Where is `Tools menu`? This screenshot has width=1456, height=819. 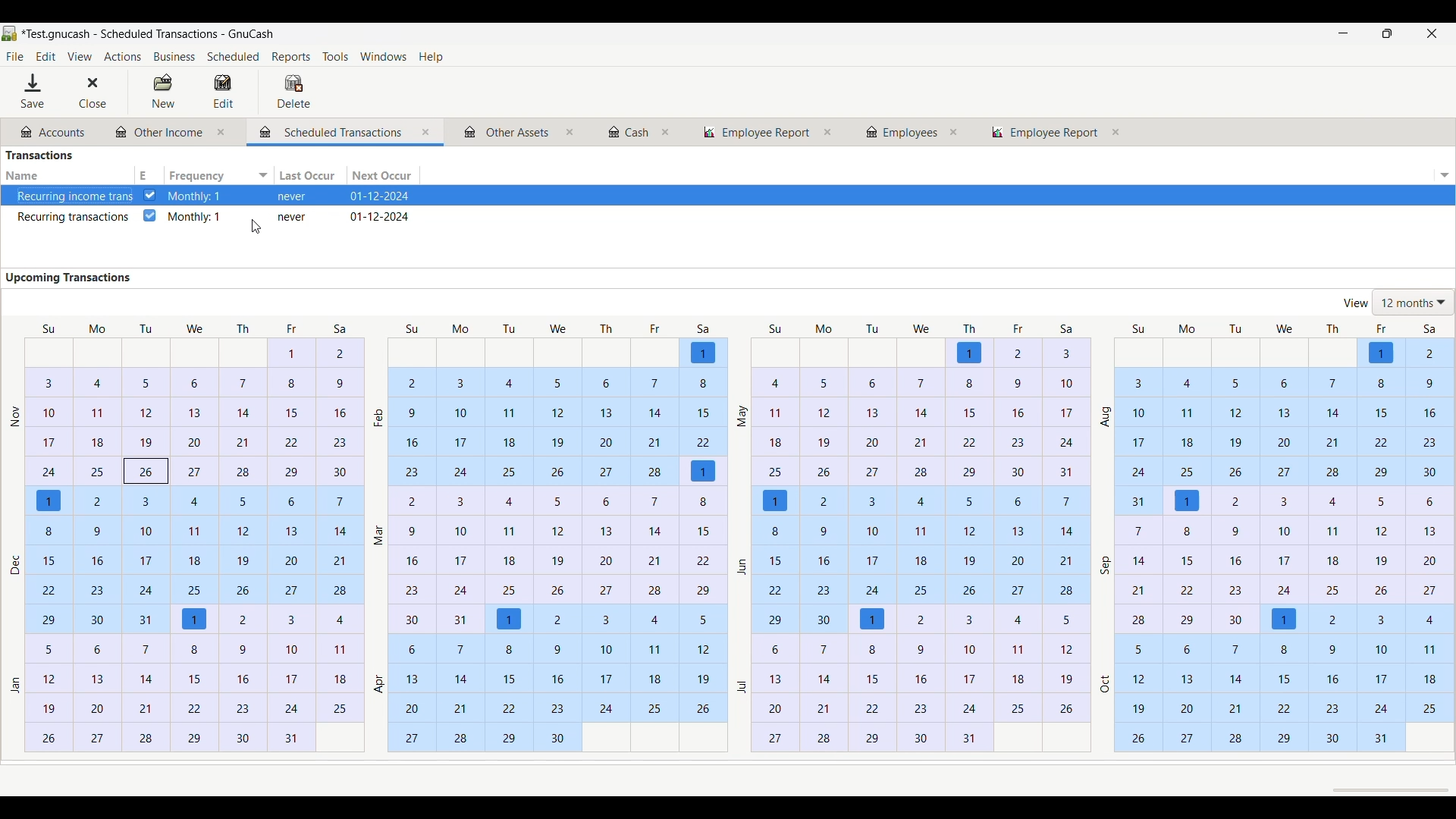 Tools menu is located at coordinates (338, 58).